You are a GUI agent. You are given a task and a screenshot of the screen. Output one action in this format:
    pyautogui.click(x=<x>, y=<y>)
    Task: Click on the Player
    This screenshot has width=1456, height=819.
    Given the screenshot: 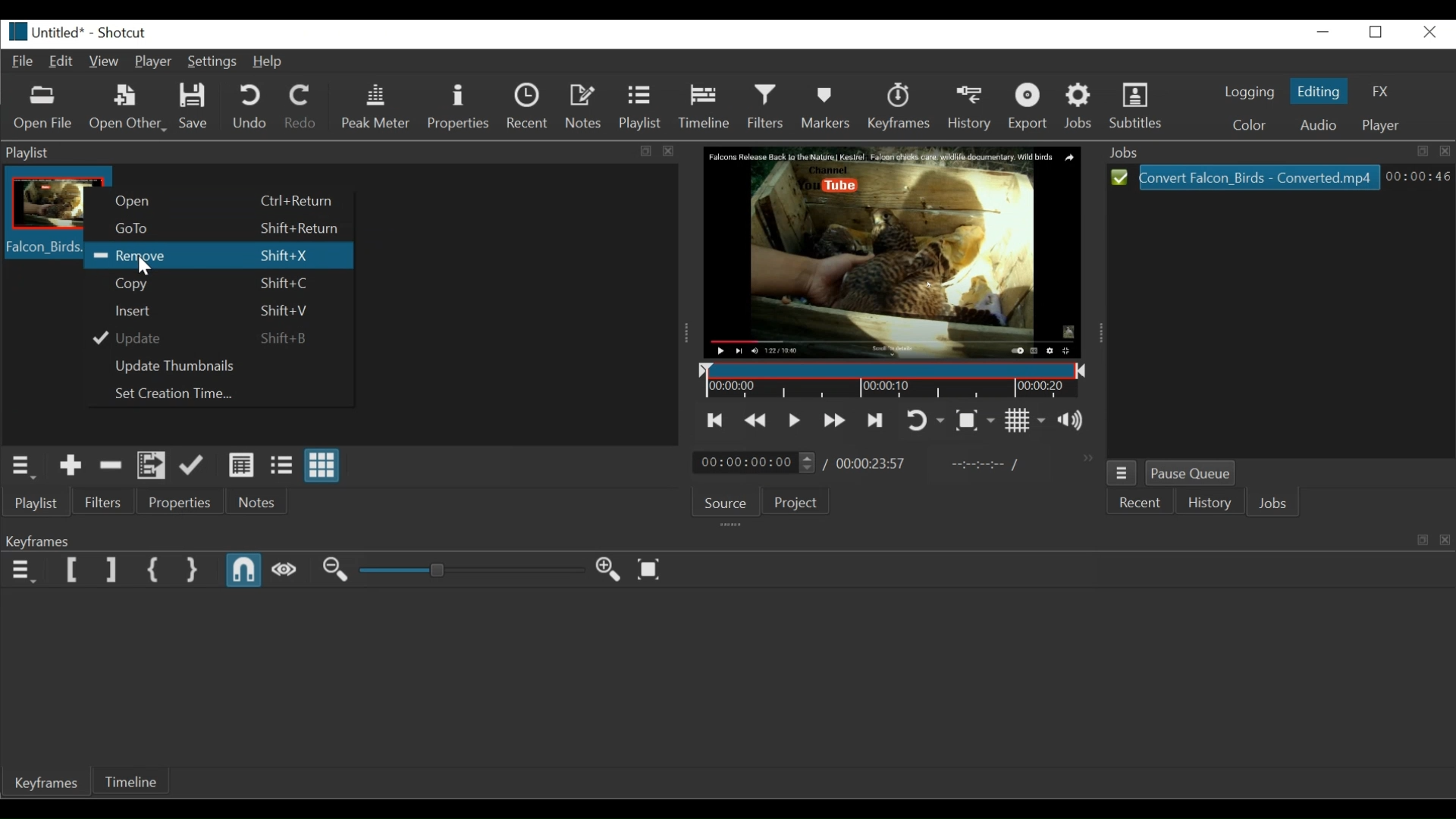 What is the action you would take?
    pyautogui.click(x=152, y=63)
    